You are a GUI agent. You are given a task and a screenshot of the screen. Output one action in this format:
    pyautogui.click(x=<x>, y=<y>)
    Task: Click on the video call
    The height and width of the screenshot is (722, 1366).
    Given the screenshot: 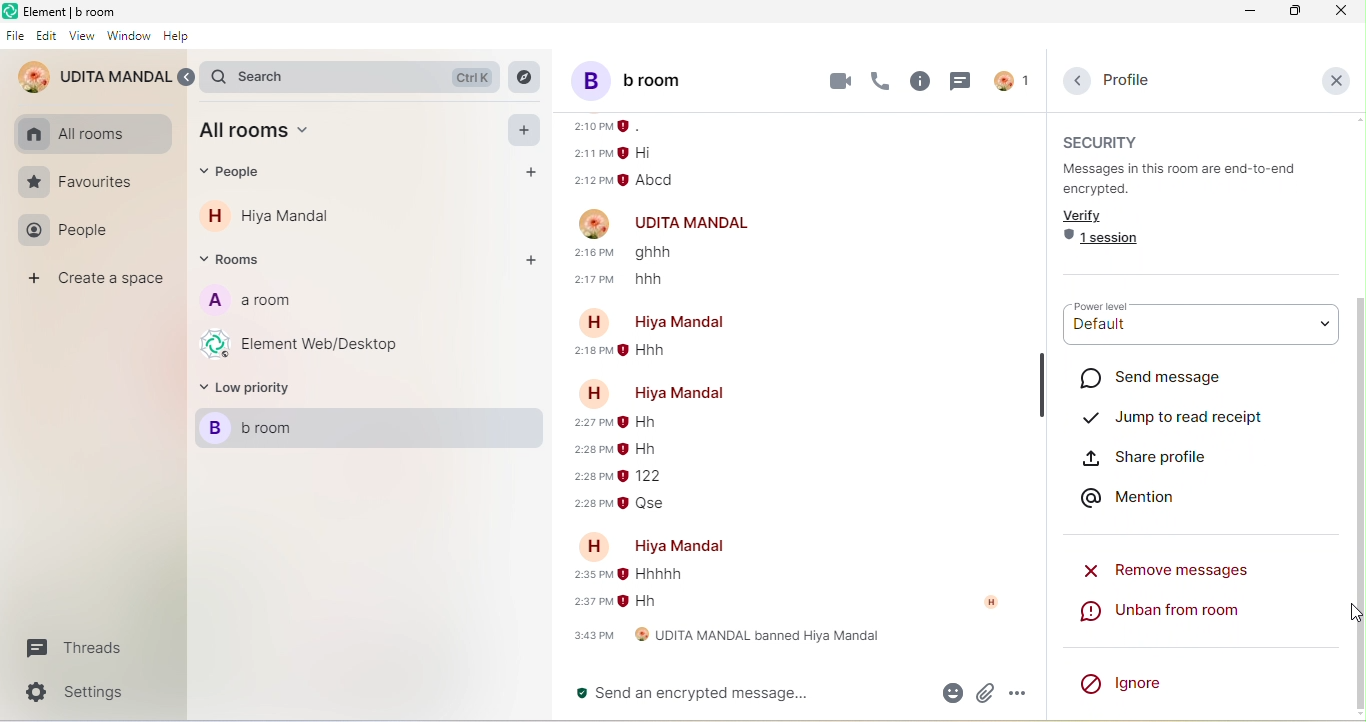 What is the action you would take?
    pyautogui.click(x=840, y=80)
    